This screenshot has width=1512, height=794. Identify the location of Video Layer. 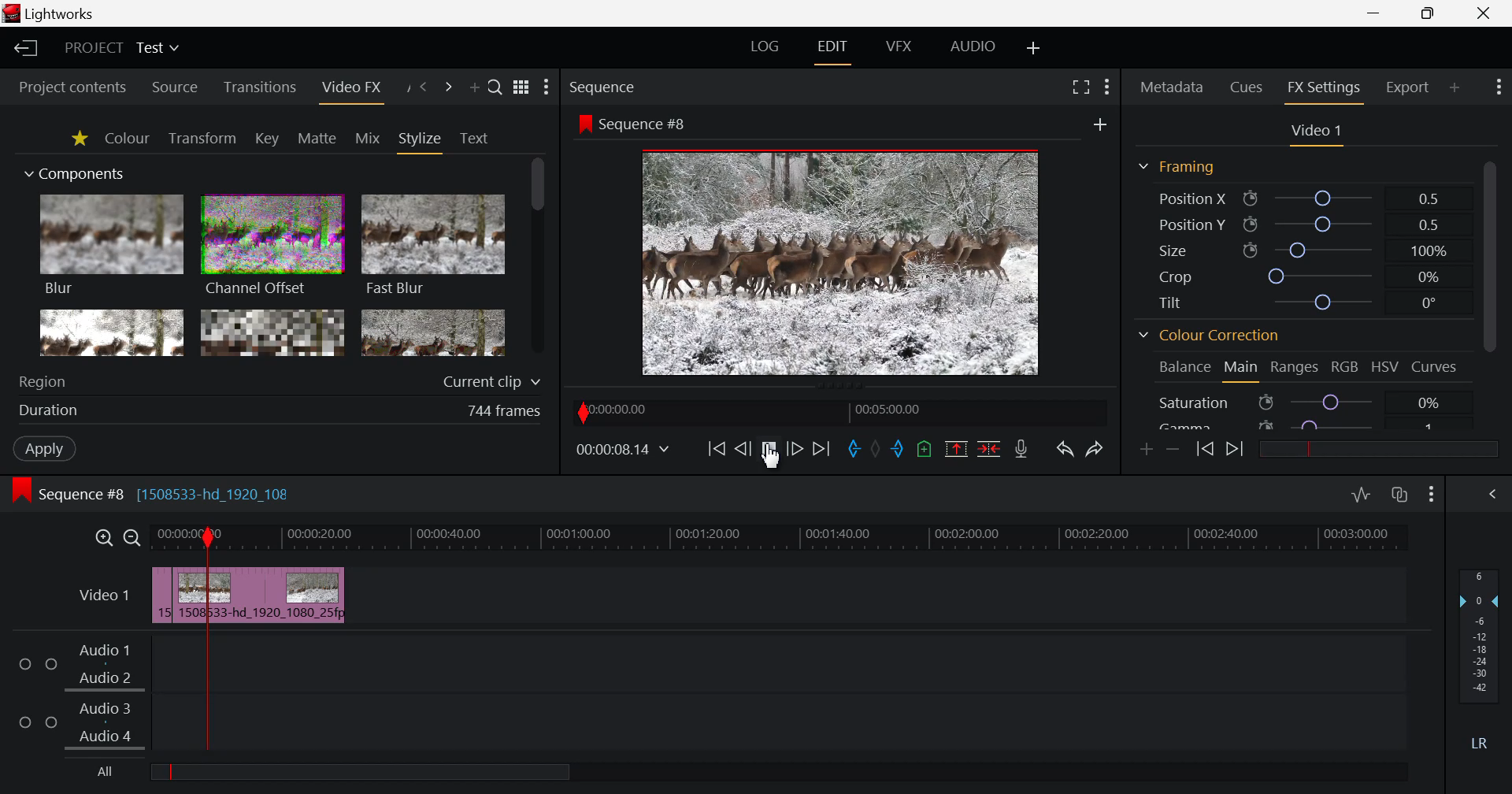
(103, 598).